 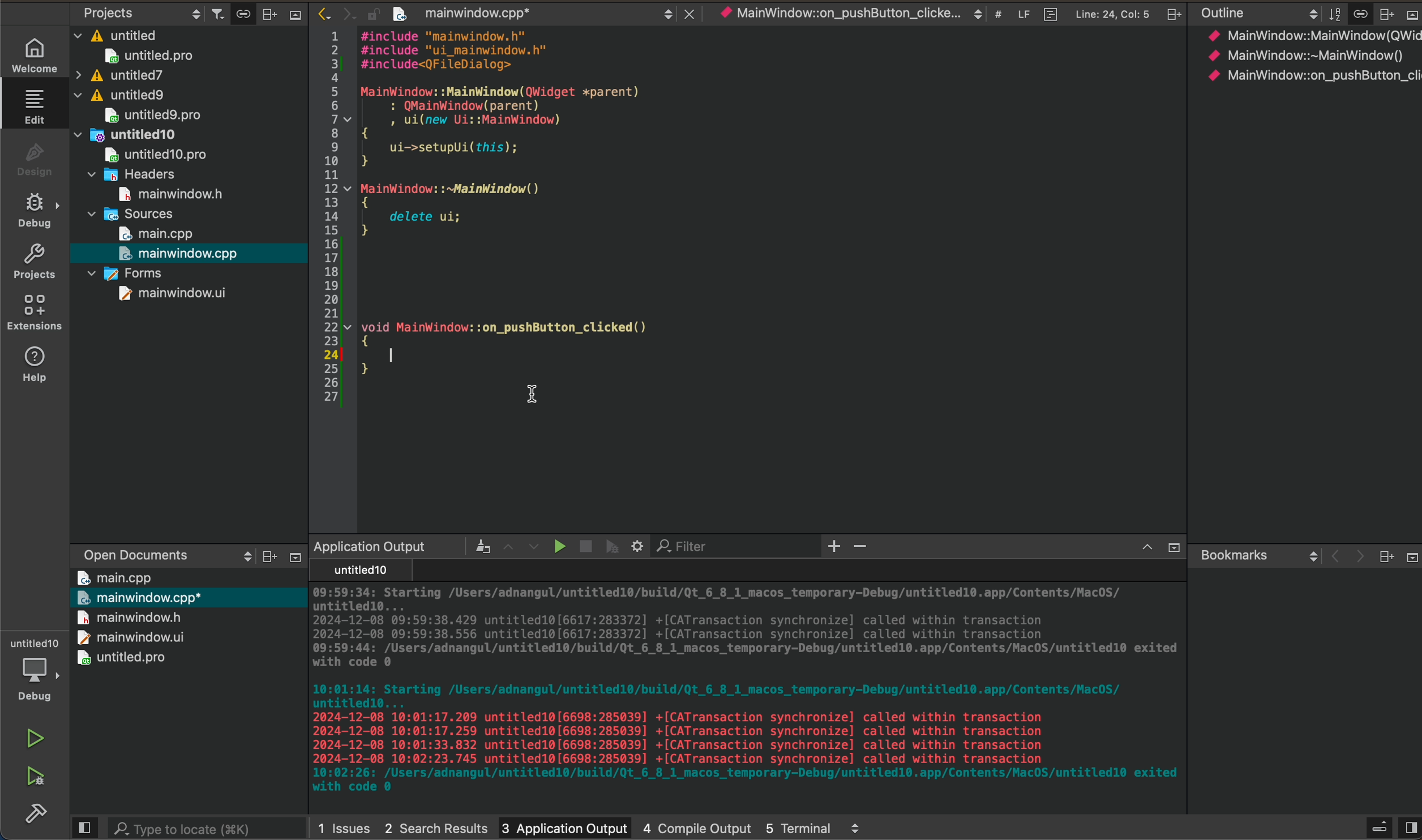 I want to click on , so click(x=1171, y=548).